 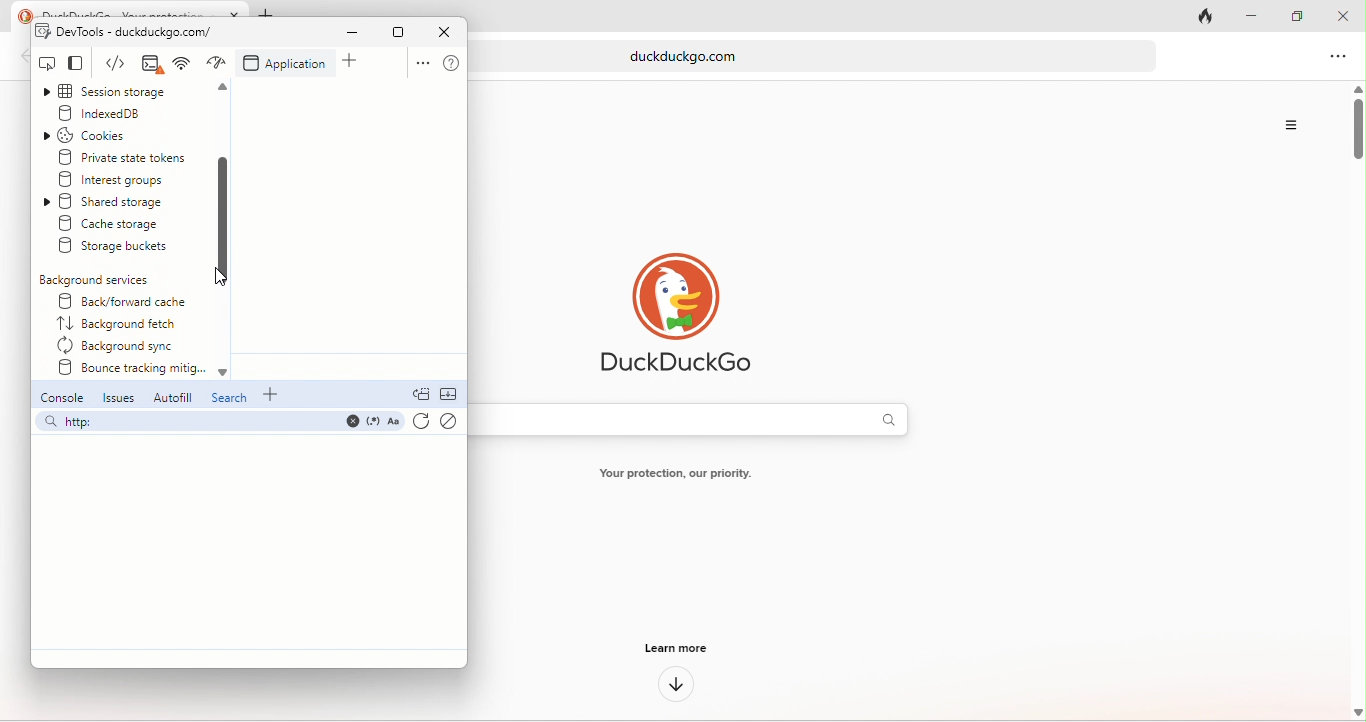 I want to click on clear, so click(x=450, y=423).